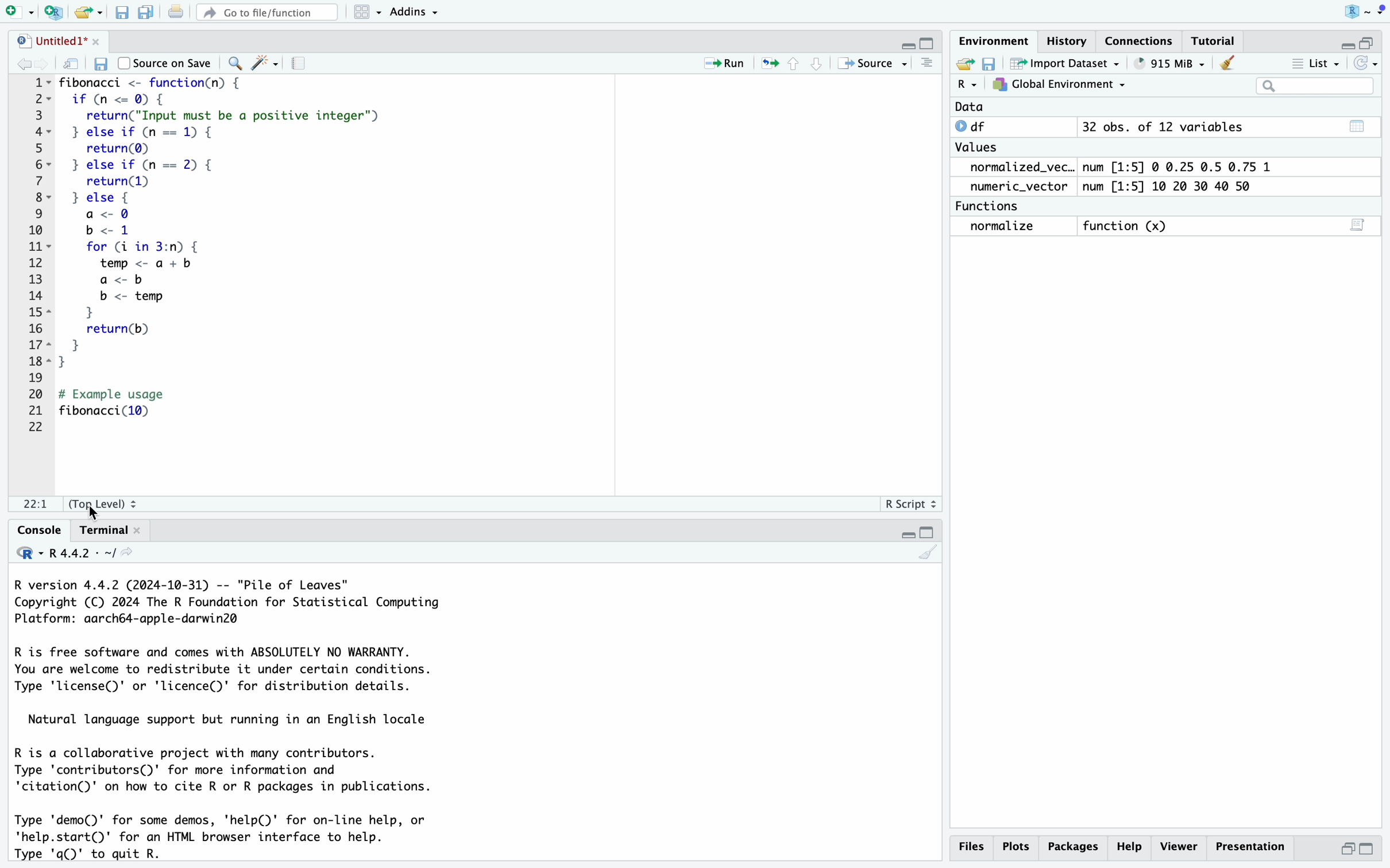 Image resolution: width=1390 pixels, height=868 pixels. What do you see at coordinates (88, 12) in the screenshot?
I see `open an existing file` at bounding box center [88, 12].